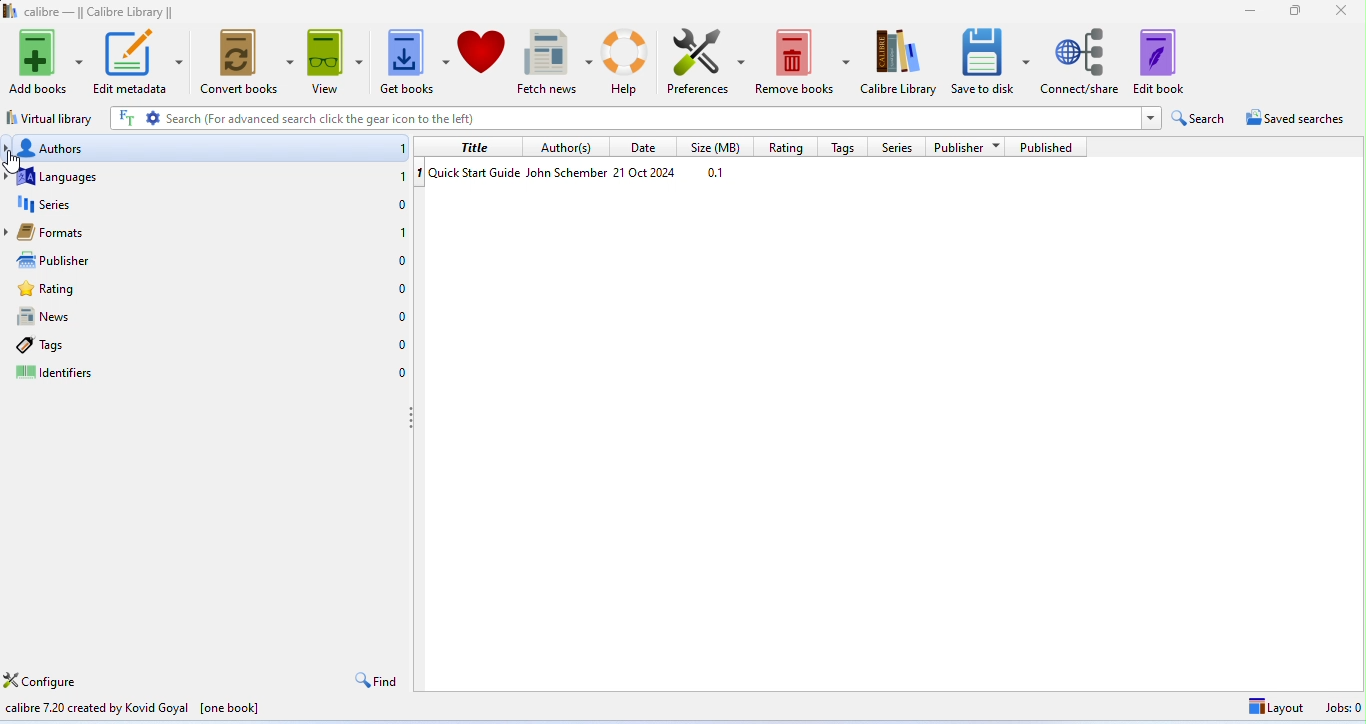 Image resolution: width=1366 pixels, height=724 pixels. Describe the element at coordinates (788, 147) in the screenshot. I see `rating` at that location.